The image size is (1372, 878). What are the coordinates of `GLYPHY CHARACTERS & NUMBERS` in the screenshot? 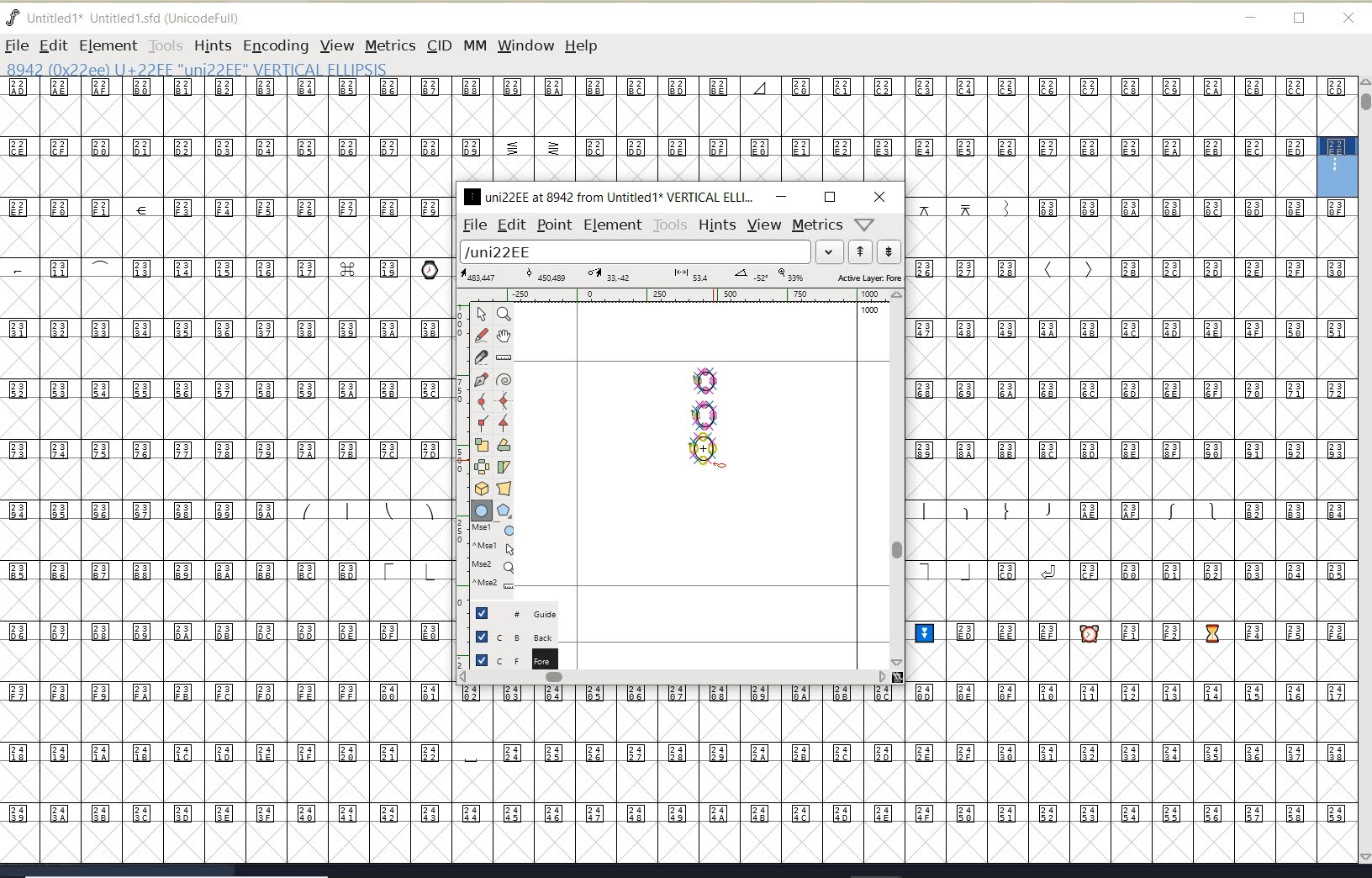 It's located at (223, 431).